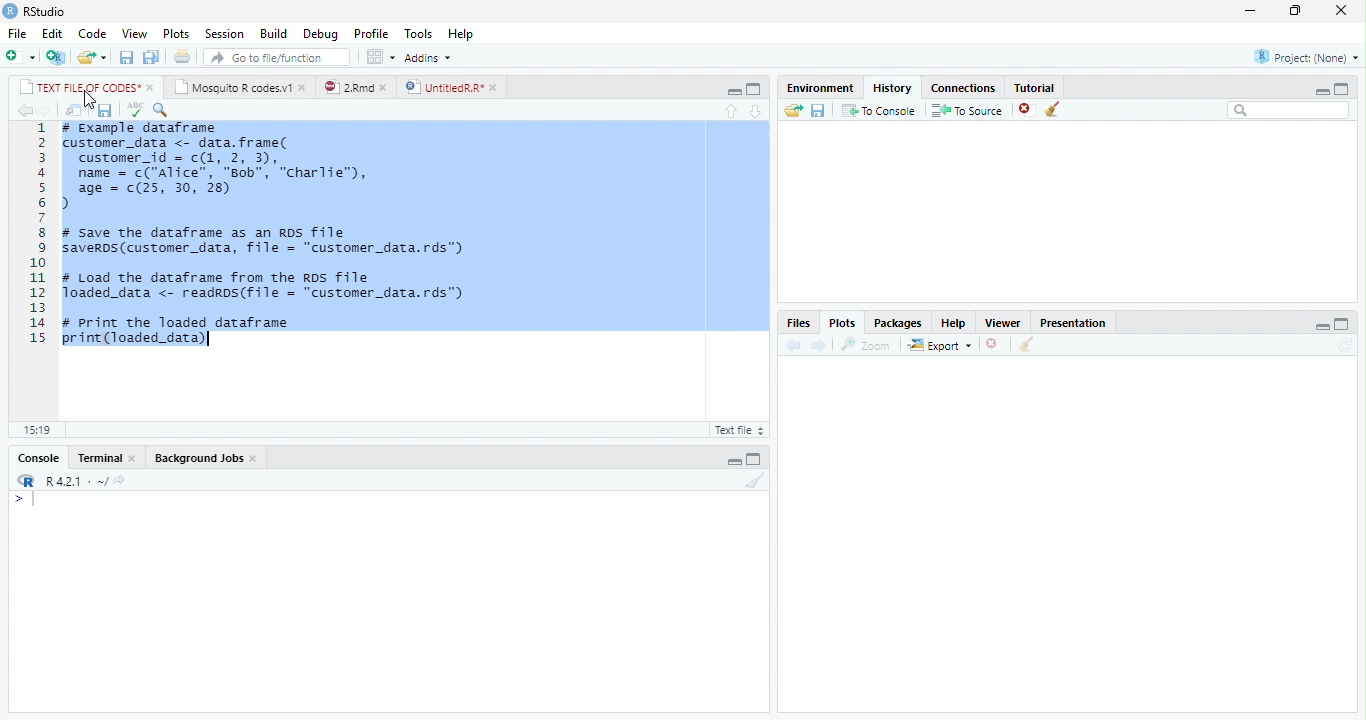 The width and height of the screenshot is (1366, 720). What do you see at coordinates (734, 462) in the screenshot?
I see `minimize` at bounding box center [734, 462].